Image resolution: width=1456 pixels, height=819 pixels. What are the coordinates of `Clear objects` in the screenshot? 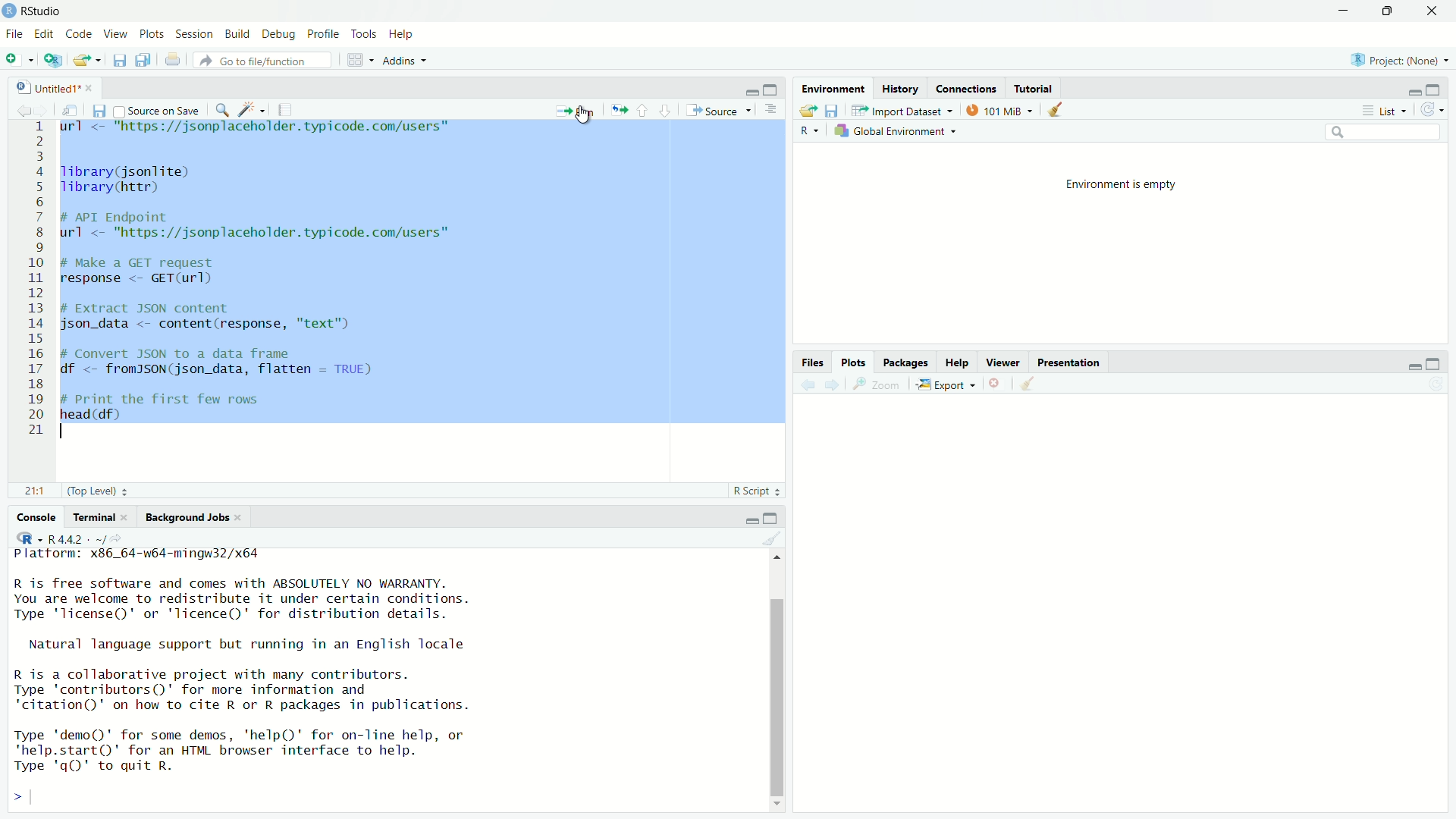 It's located at (1028, 385).